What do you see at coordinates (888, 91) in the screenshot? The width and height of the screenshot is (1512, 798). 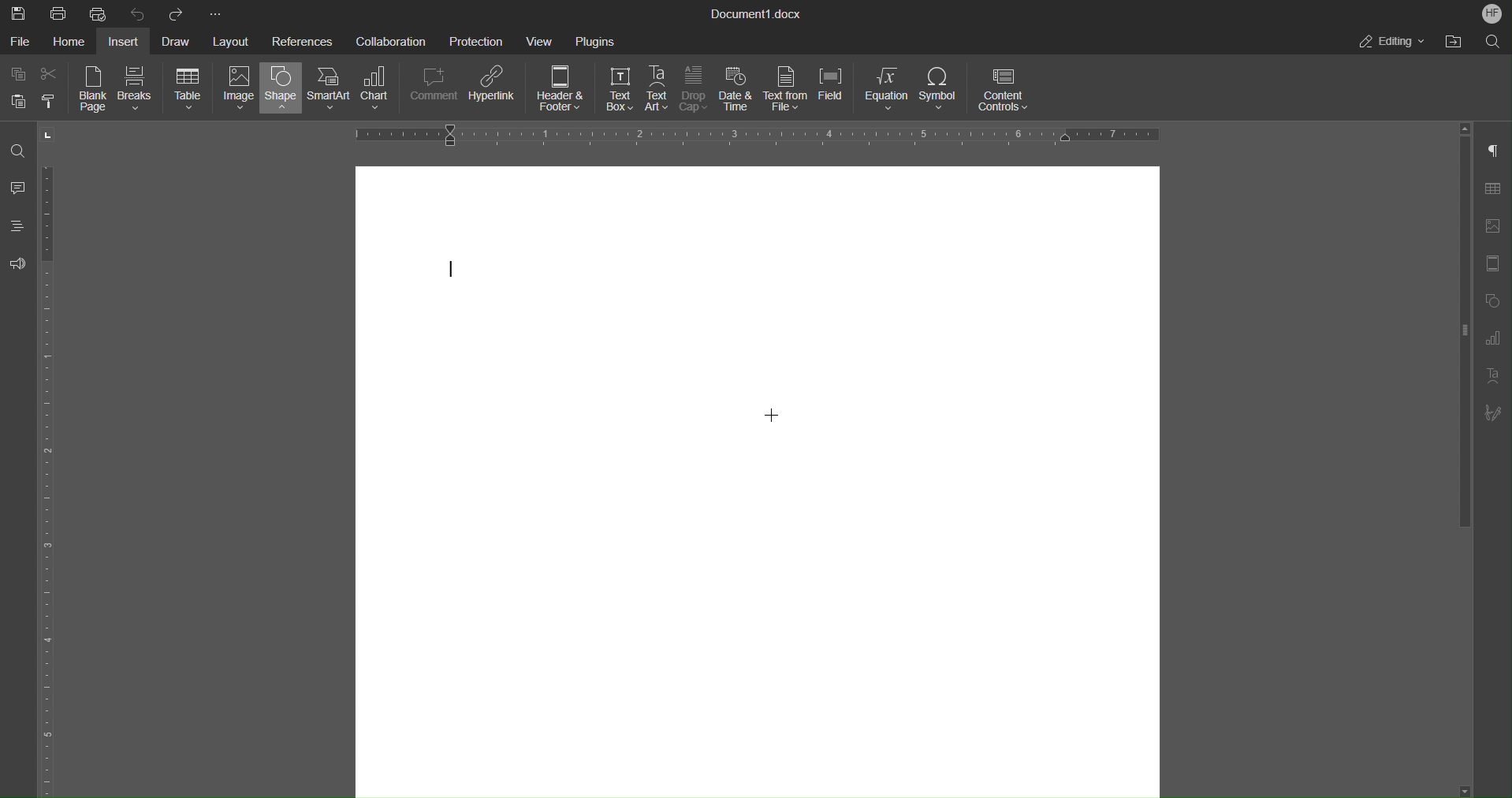 I see `Equation` at bounding box center [888, 91].